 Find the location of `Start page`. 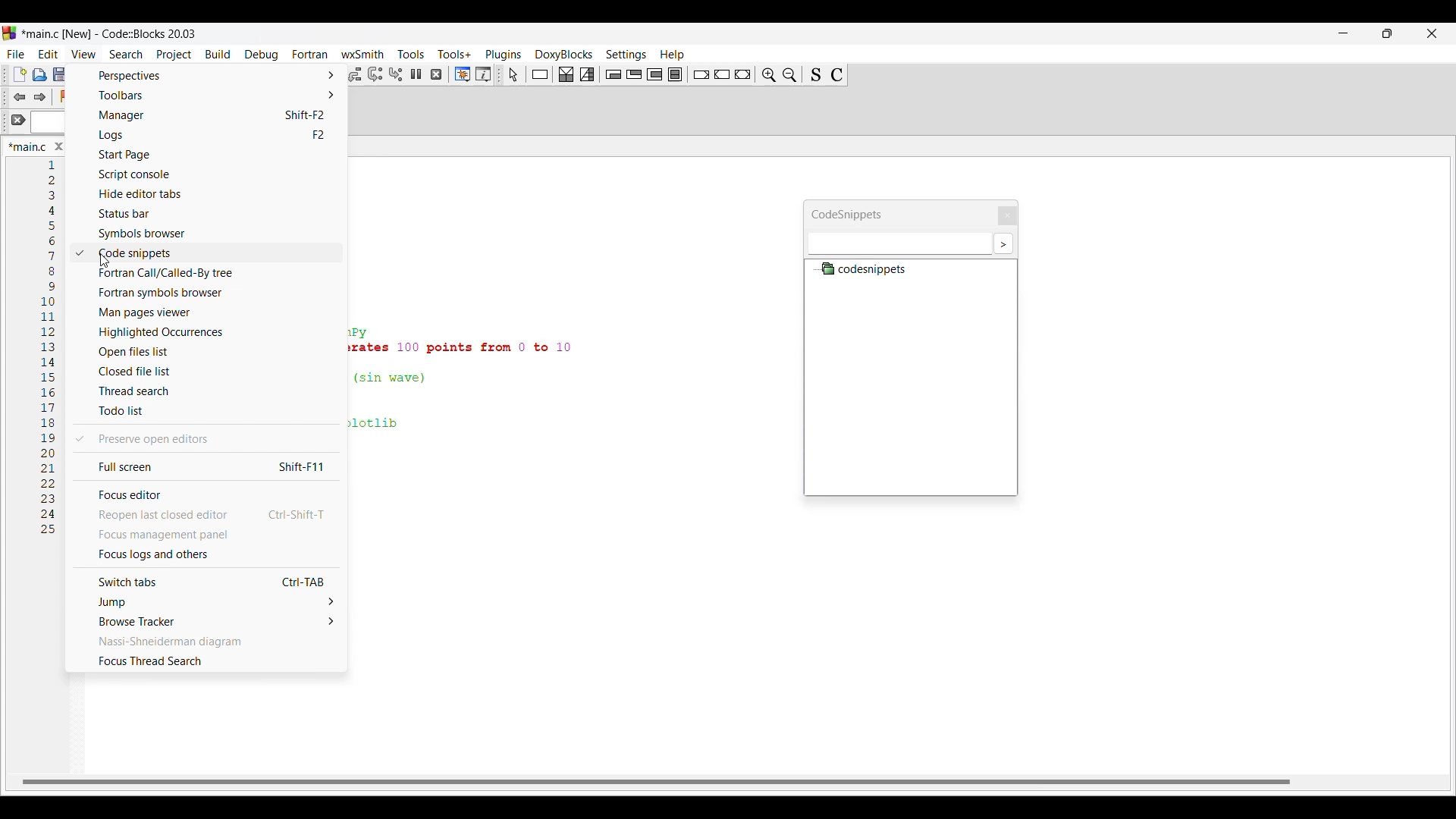

Start page is located at coordinates (216, 155).